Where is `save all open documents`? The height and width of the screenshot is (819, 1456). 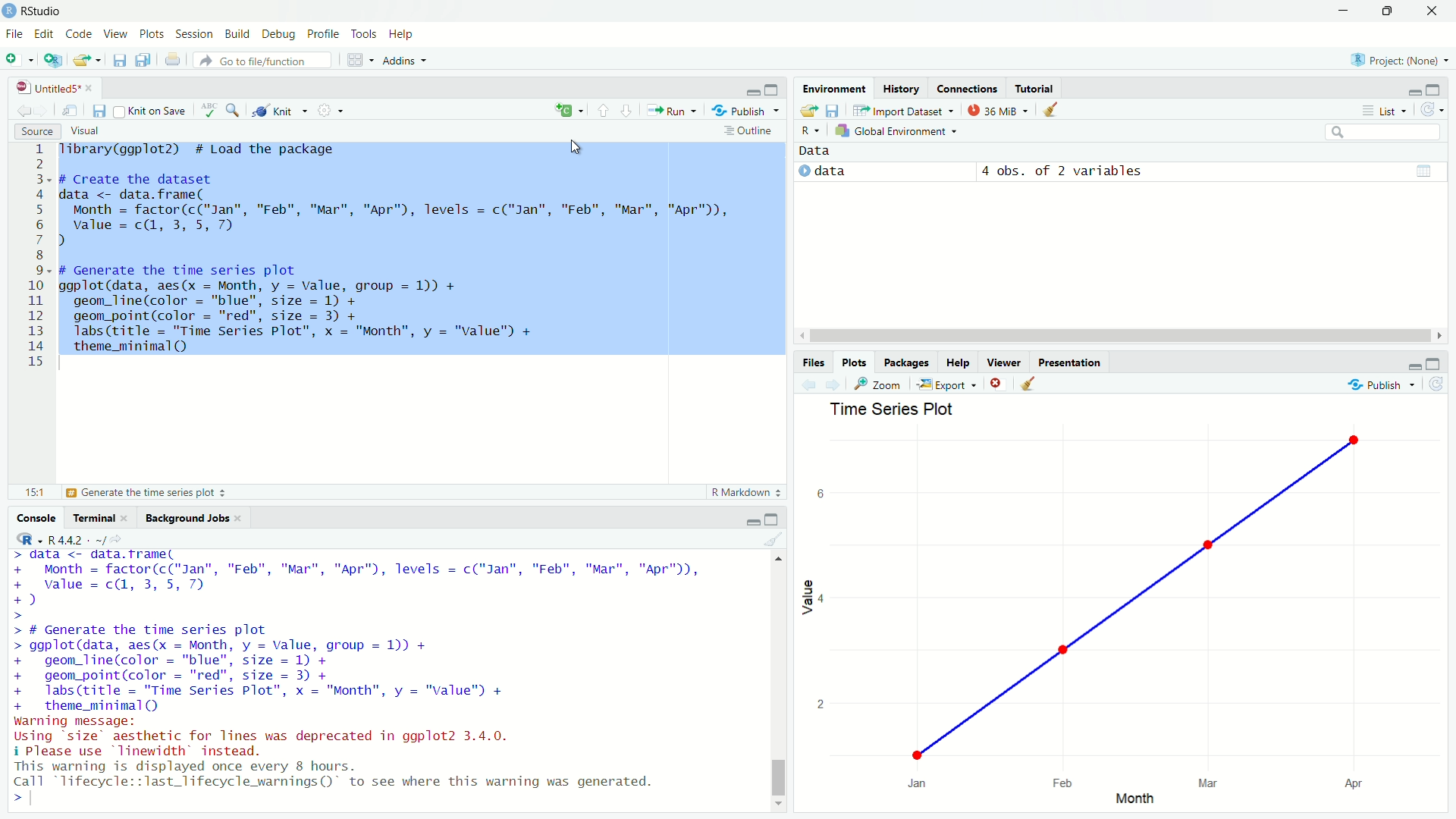
save all open documents is located at coordinates (143, 60).